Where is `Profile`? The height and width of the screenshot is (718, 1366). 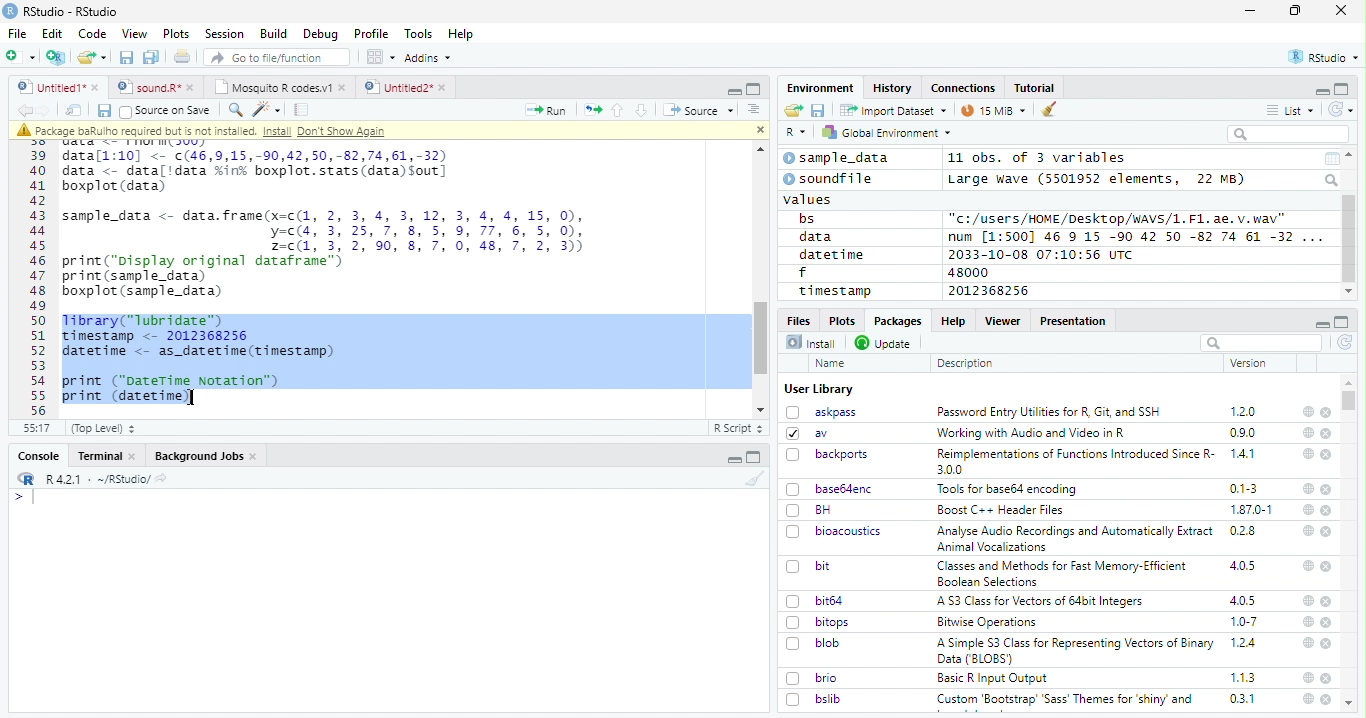 Profile is located at coordinates (371, 34).